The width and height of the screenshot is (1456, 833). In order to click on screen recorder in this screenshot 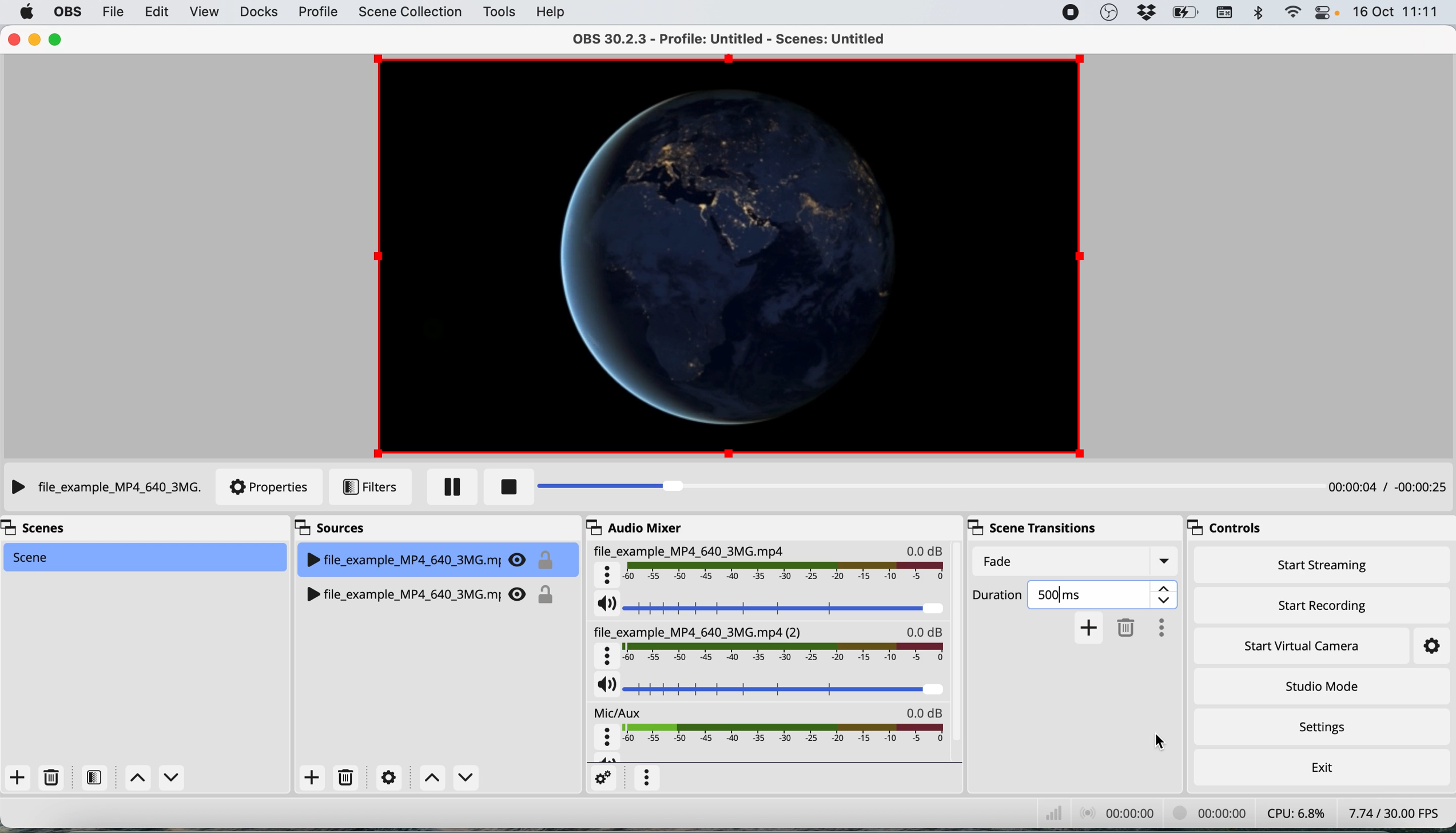, I will do `click(1068, 13)`.